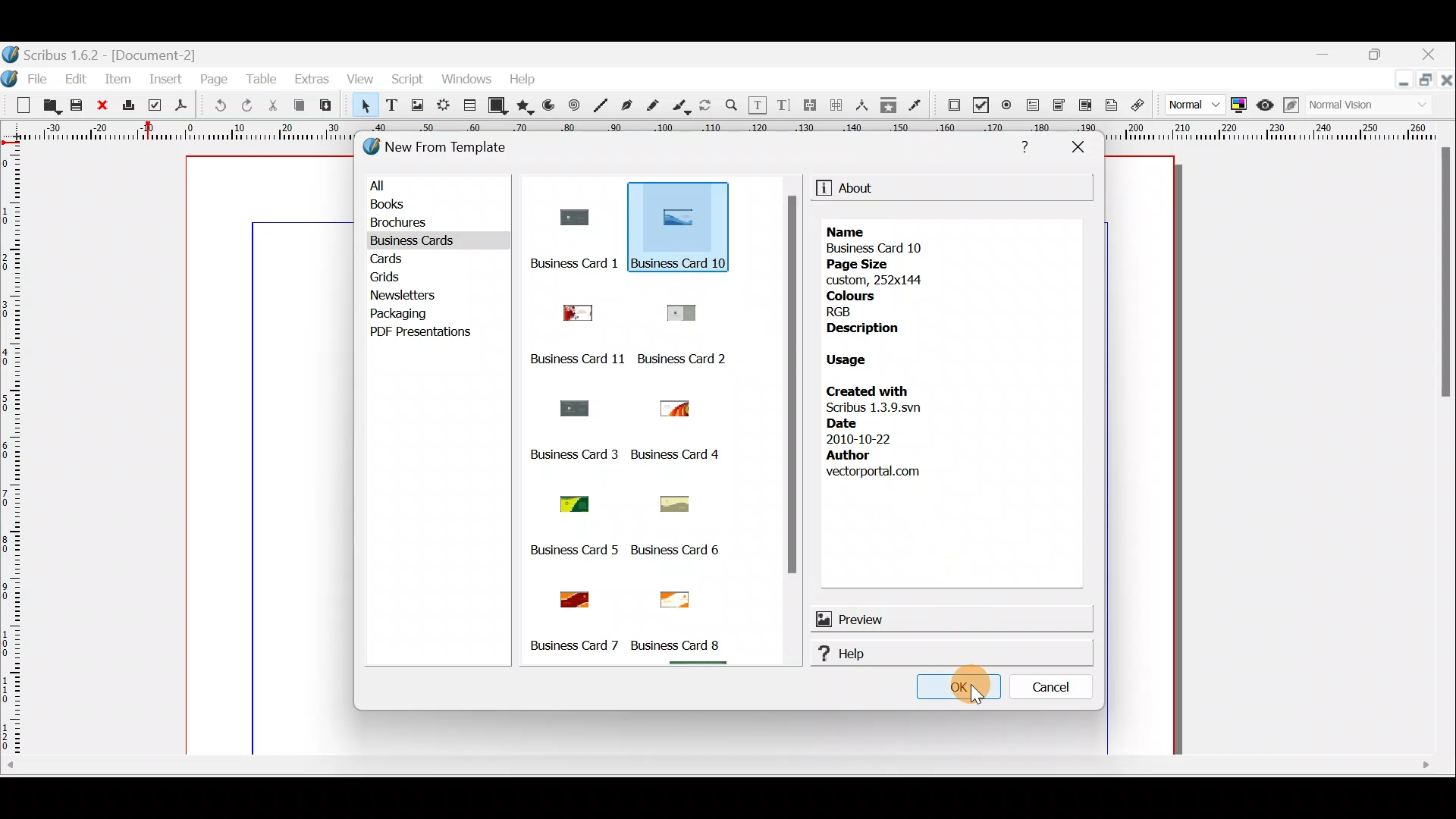 This screenshot has height=819, width=1456. What do you see at coordinates (526, 106) in the screenshot?
I see `Polygon` at bounding box center [526, 106].